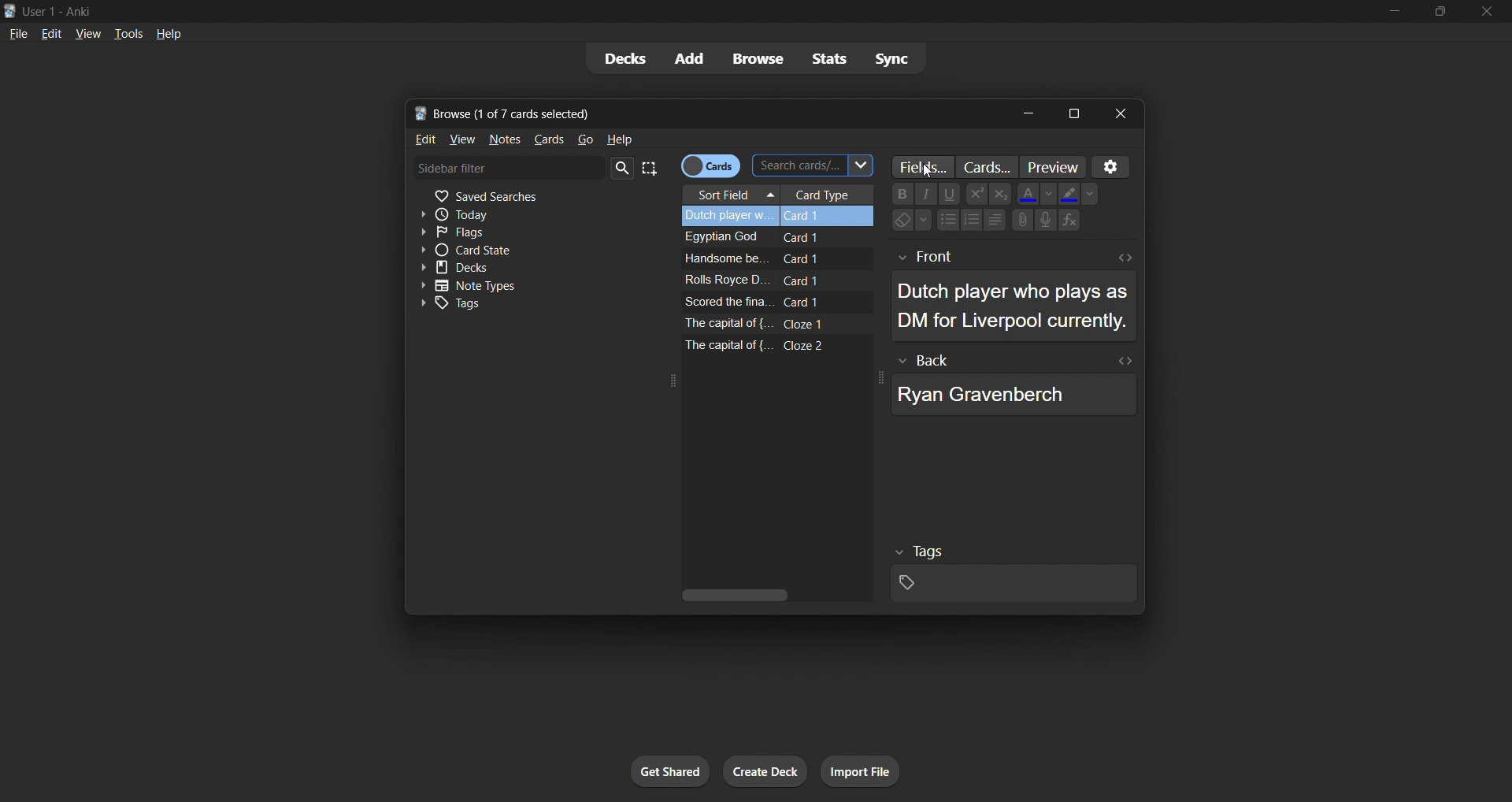 The image size is (1512, 802). Describe the element at coordinates (710, 166) in the screenshot. I see `cards/notes toggle` at that location.